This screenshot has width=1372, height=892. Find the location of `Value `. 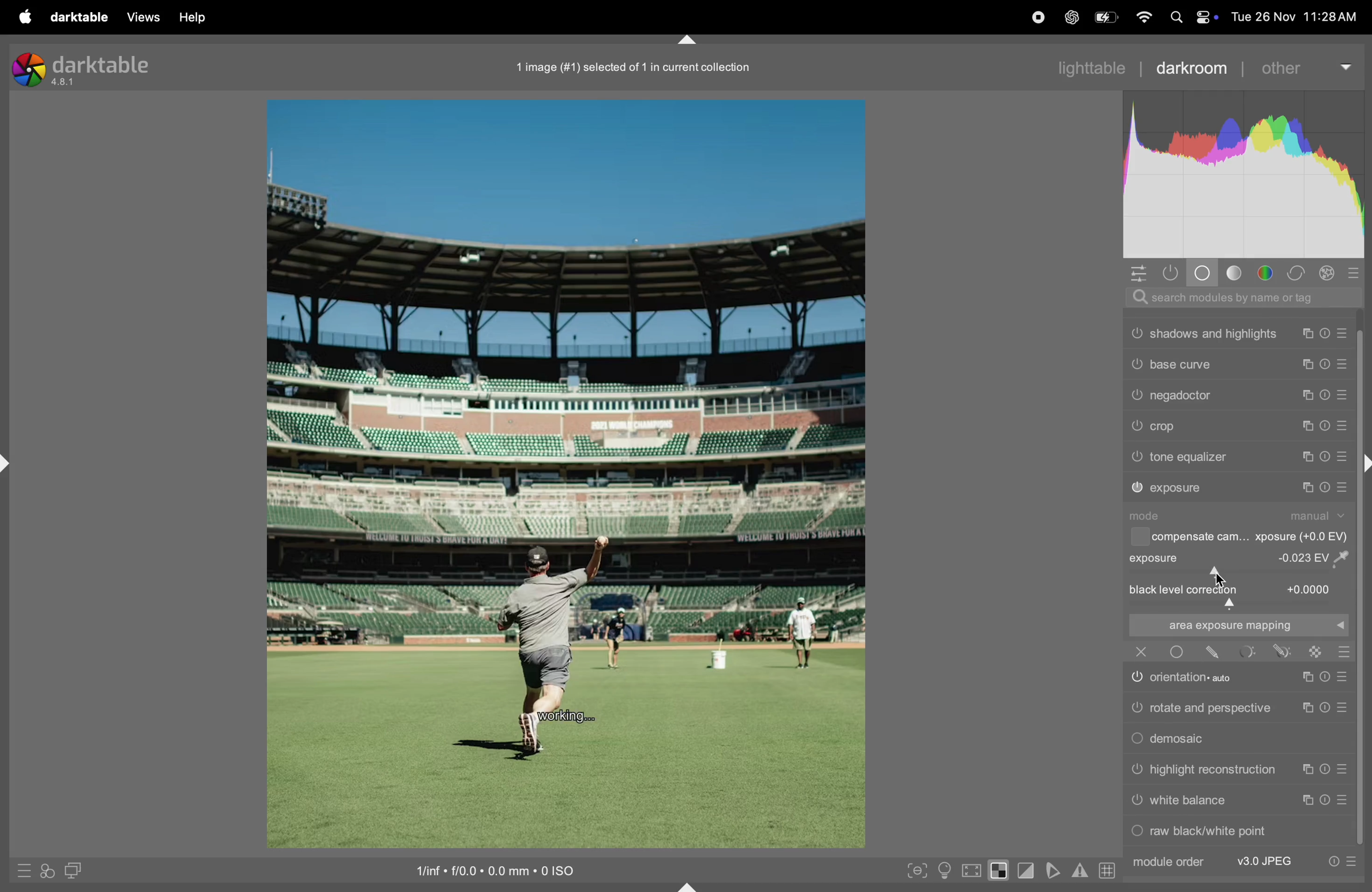

Value  is located at coordinates (1310, 588).